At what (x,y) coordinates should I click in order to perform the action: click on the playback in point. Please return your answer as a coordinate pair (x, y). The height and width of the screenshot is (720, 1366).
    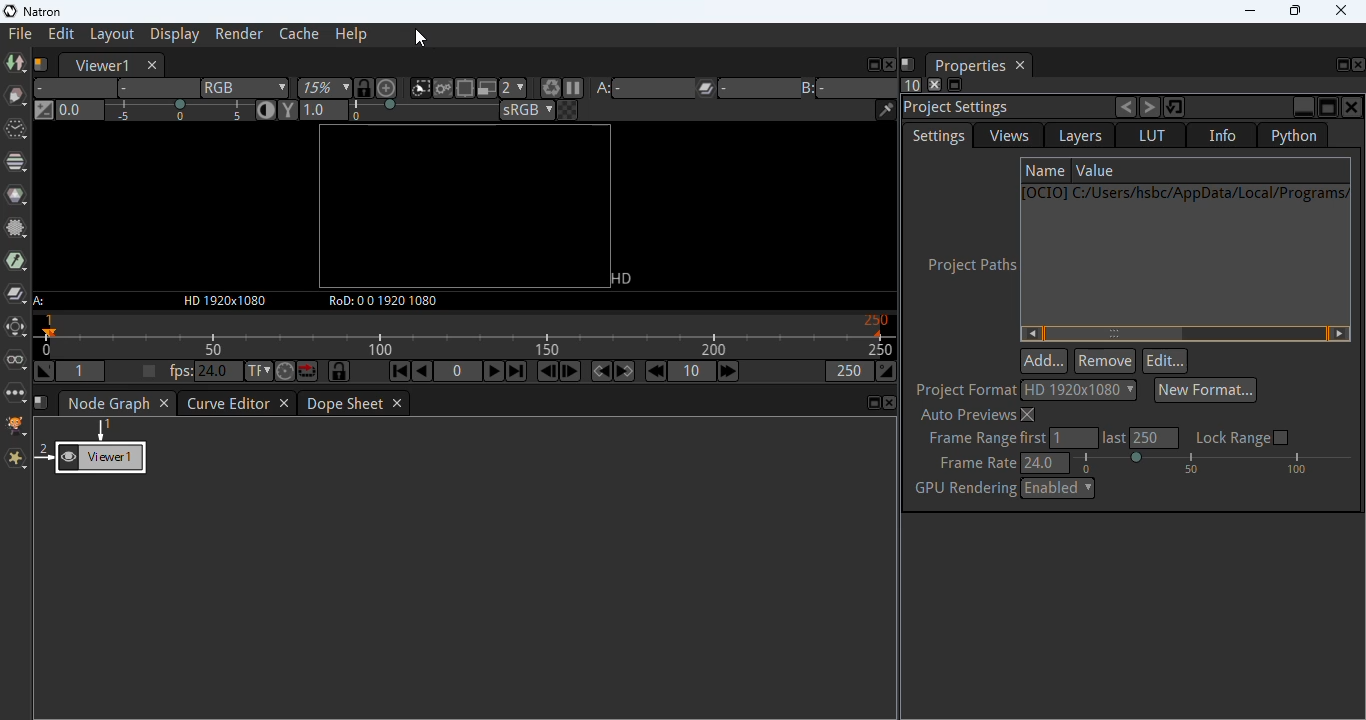
    Looking at the image, I should click on (81, 372).